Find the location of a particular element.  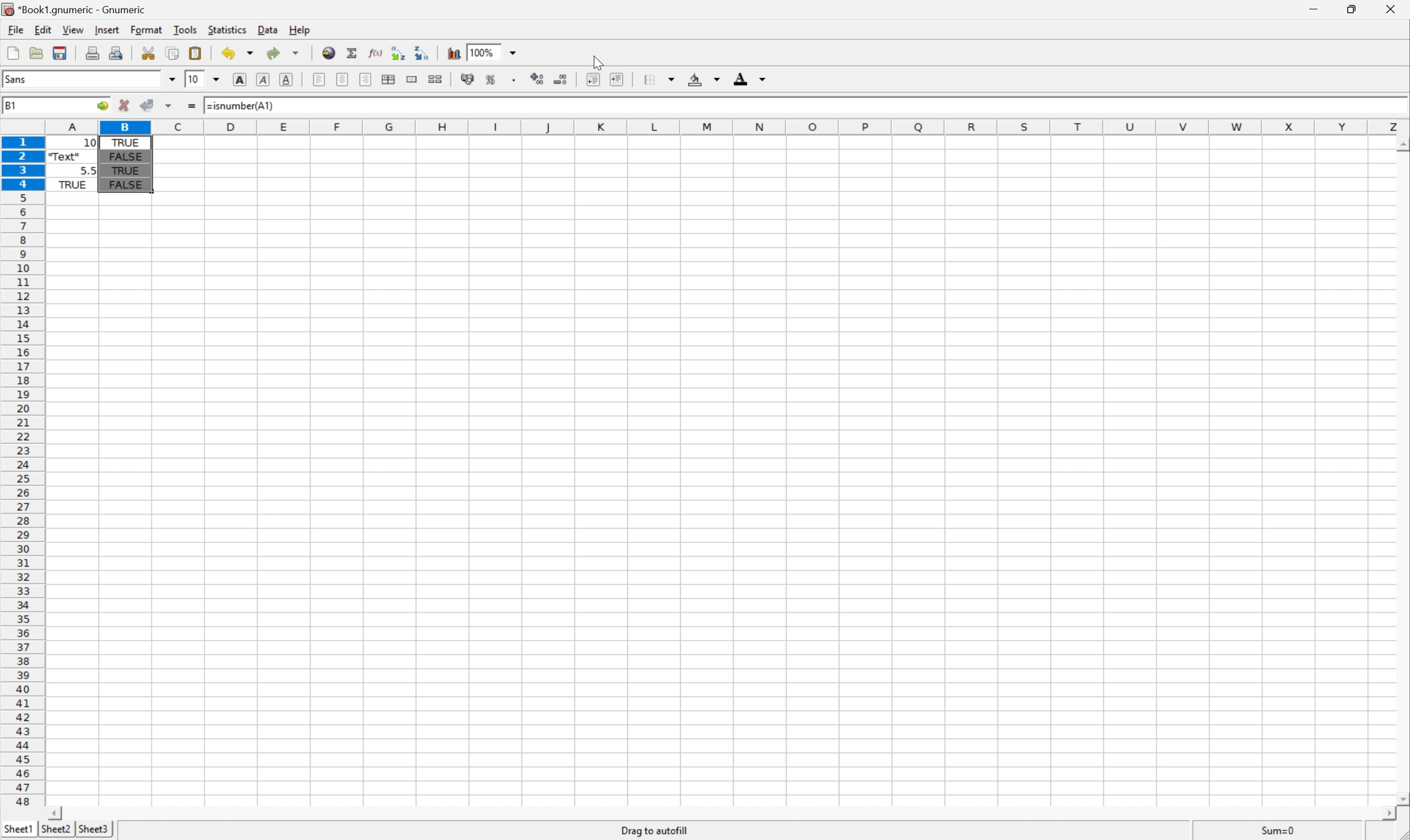

Sheet1 is located at coordinates (17, 830).